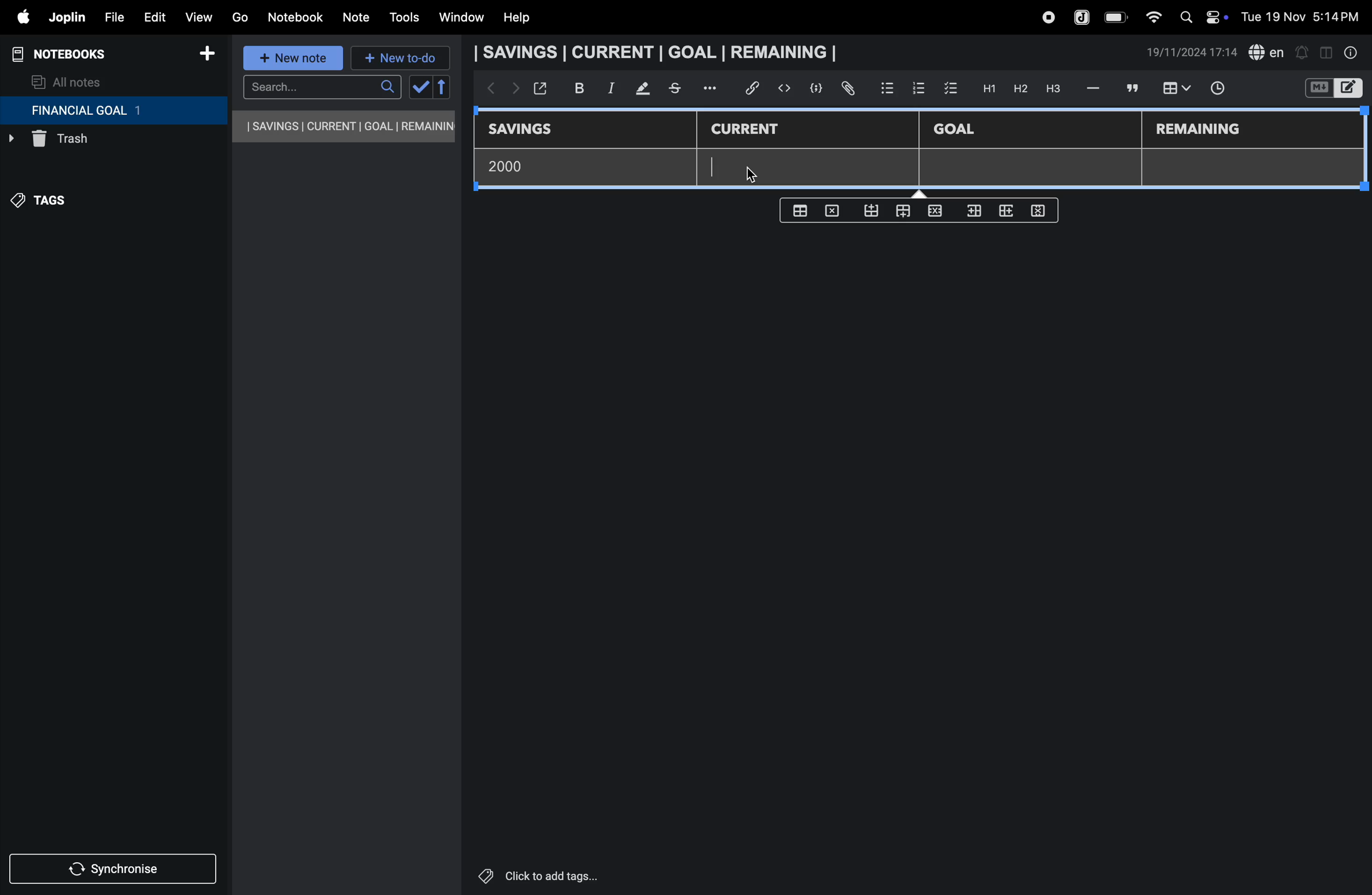 Image resolution: width=1372 pixels, height=895 pixels. Describe the element at coordinates (65, 17) in the screenshot. I see `joplin menu` at that location.